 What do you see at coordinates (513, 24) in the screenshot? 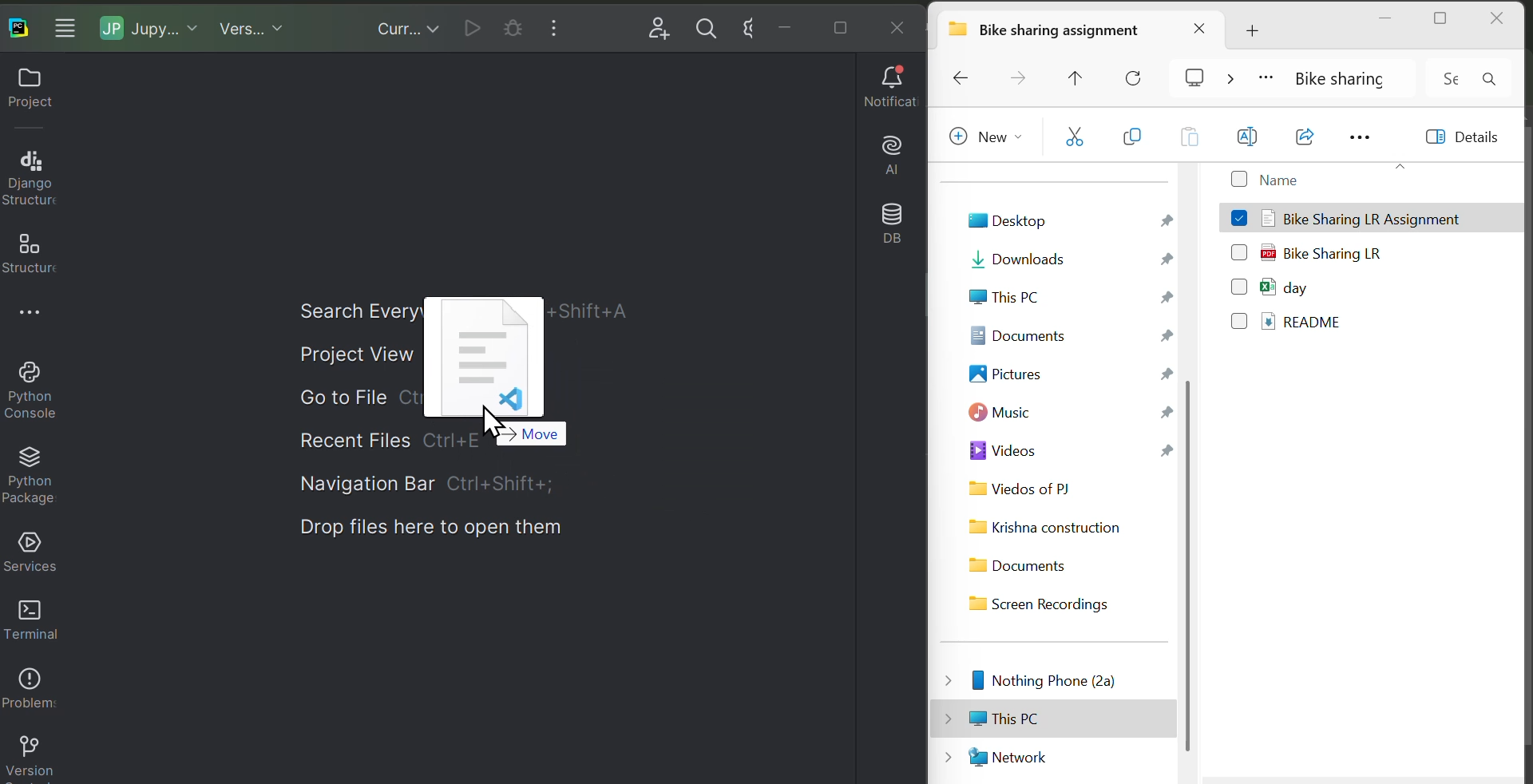
I see `Current cell` at bounding box center [513, 24].